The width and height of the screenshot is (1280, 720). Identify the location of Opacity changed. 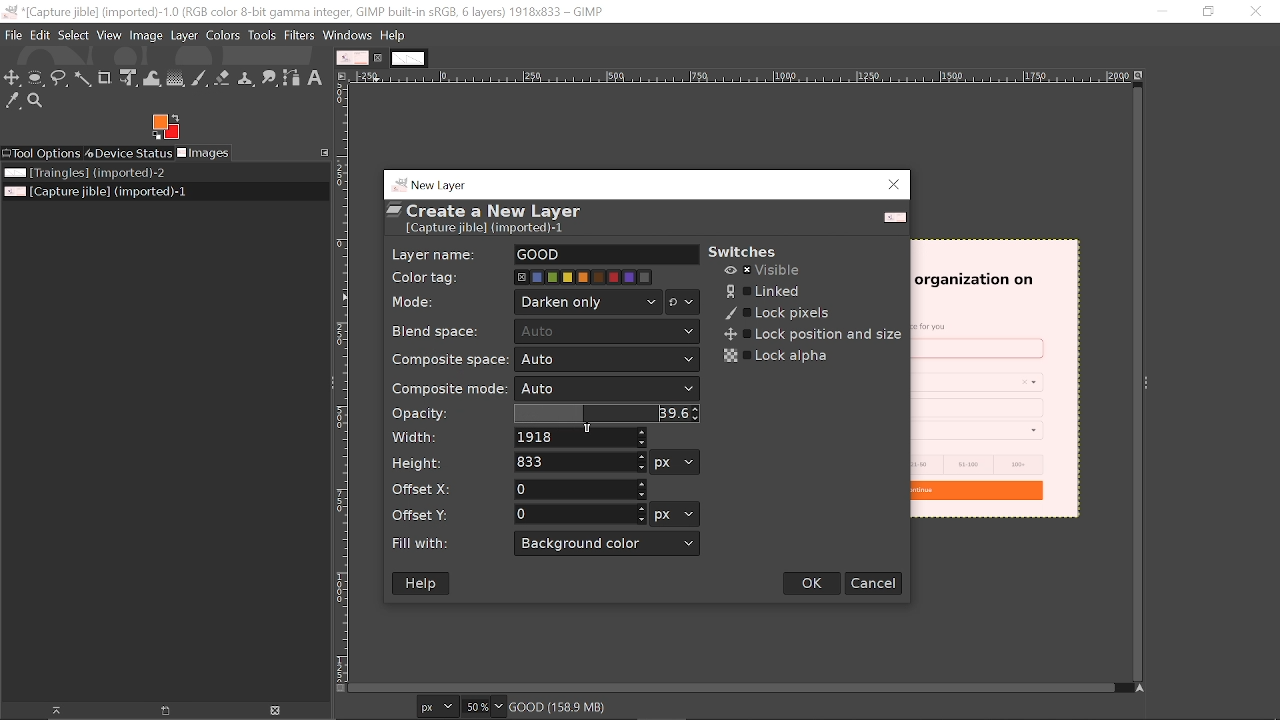
(603, 413).